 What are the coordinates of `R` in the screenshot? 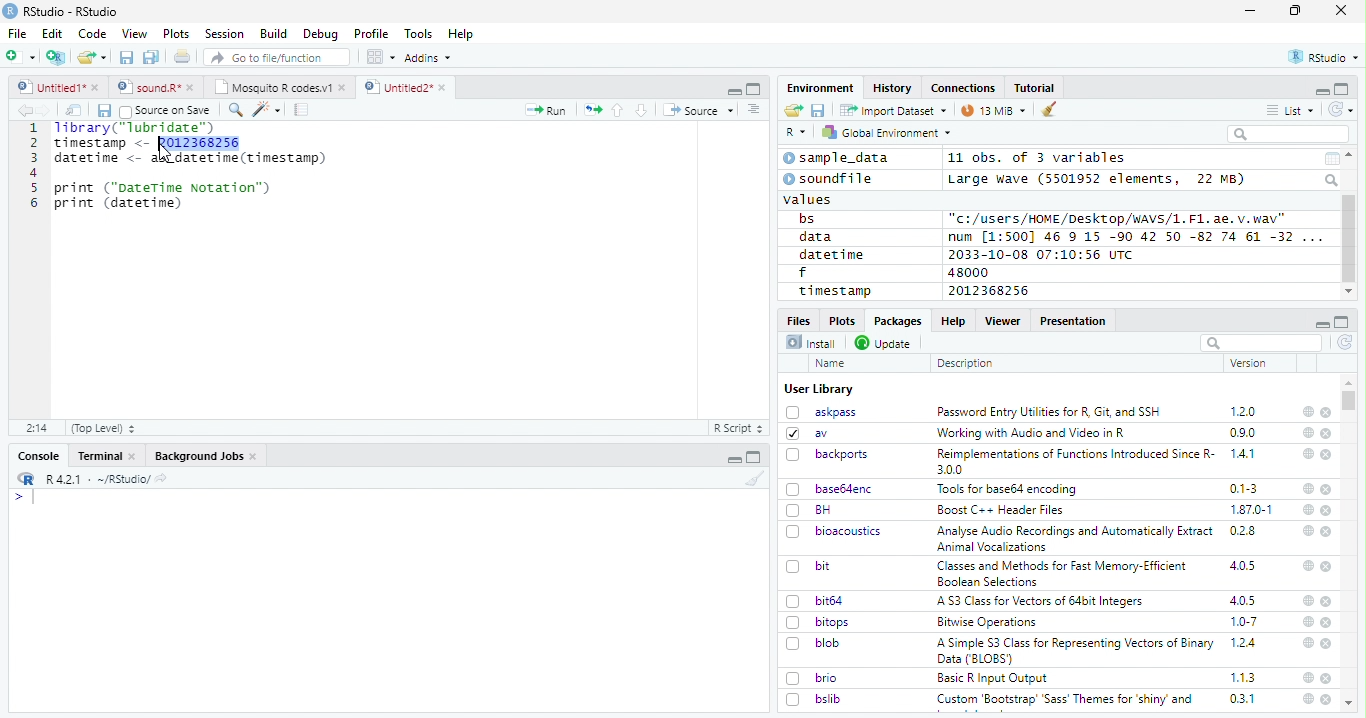 It's located at (796, 133).